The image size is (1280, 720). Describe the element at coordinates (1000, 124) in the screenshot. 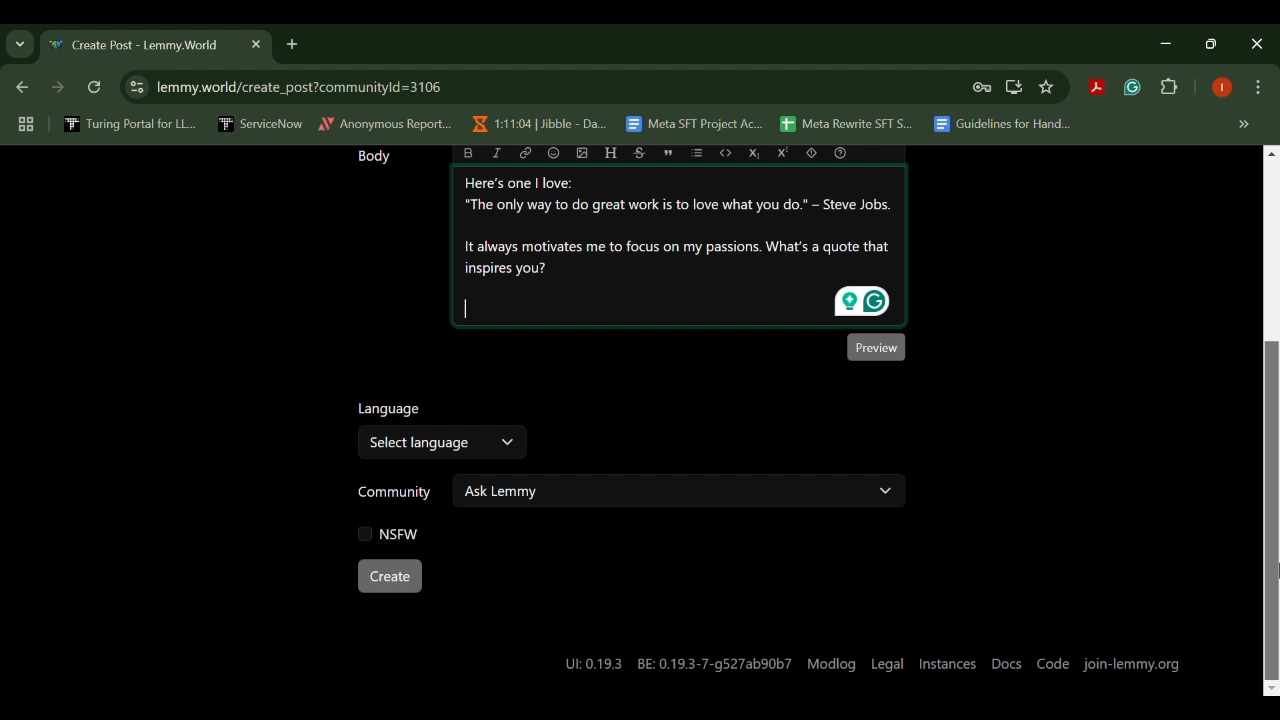

I see `Guidelines for Hand...` at that location.